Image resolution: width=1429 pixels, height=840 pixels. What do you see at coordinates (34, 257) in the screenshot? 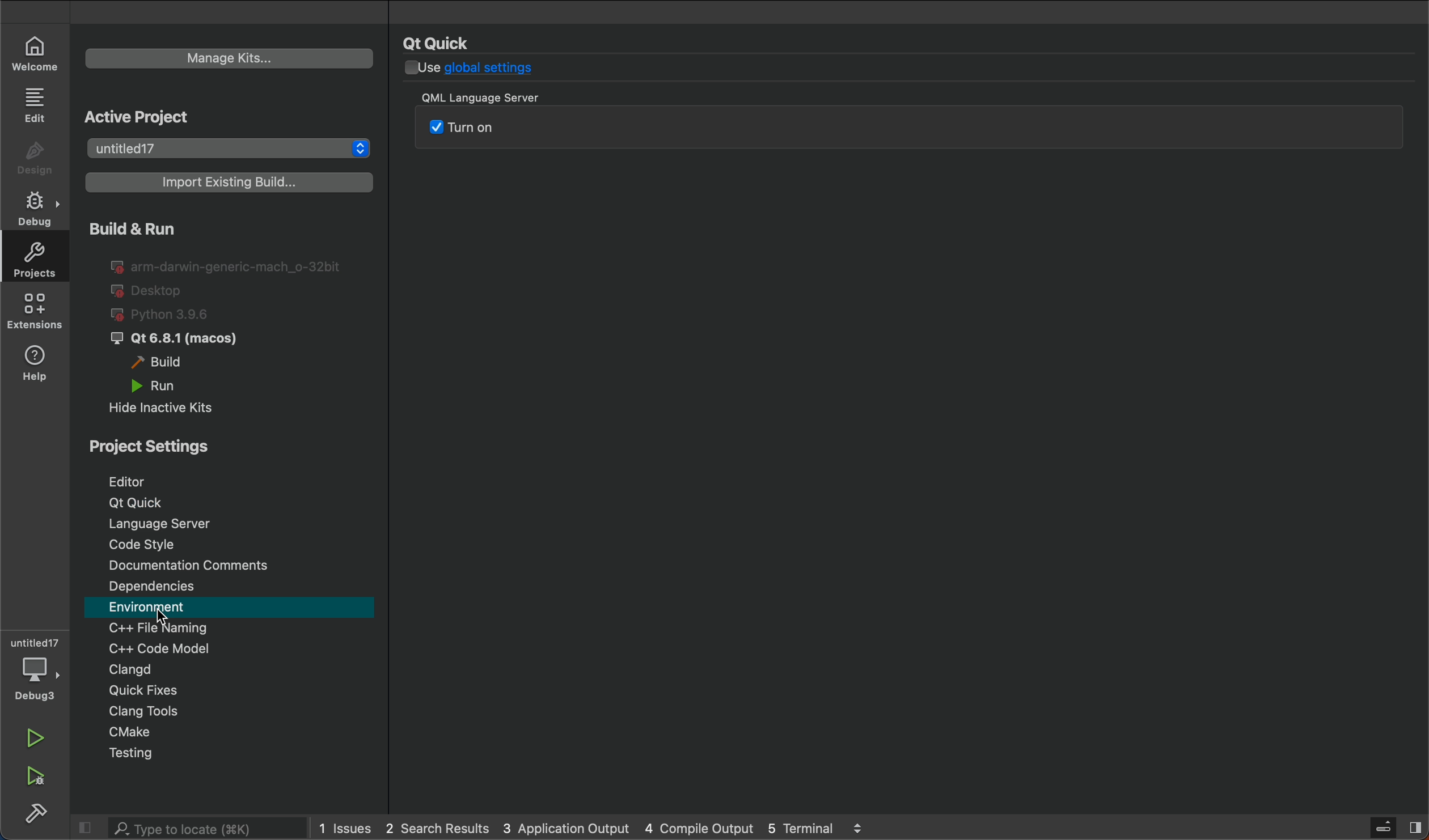
I see `projects` at bounding box center [34, 257].